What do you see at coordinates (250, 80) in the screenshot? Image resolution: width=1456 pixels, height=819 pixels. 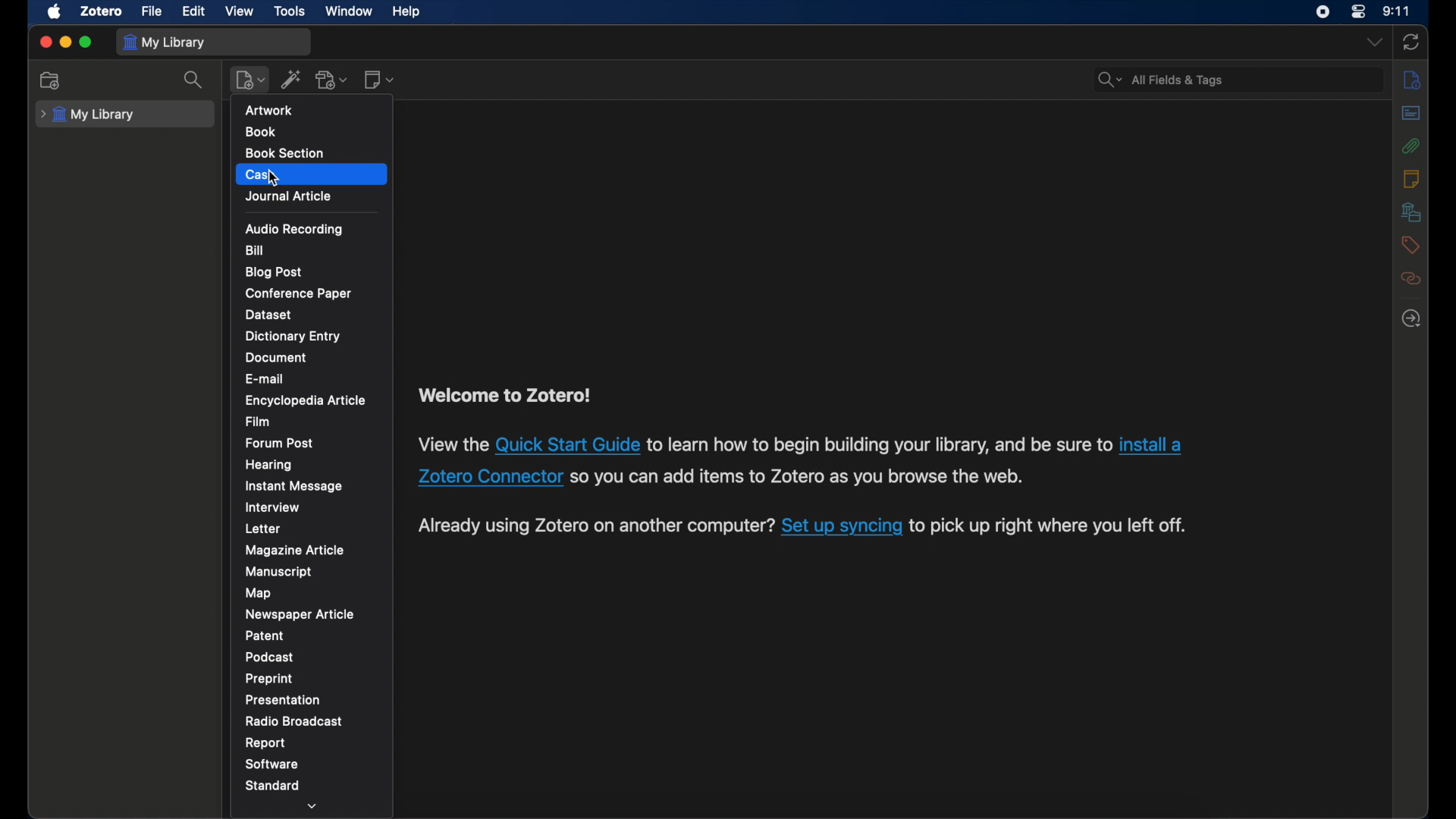 I see `new item` at bounding box center [250, 80].